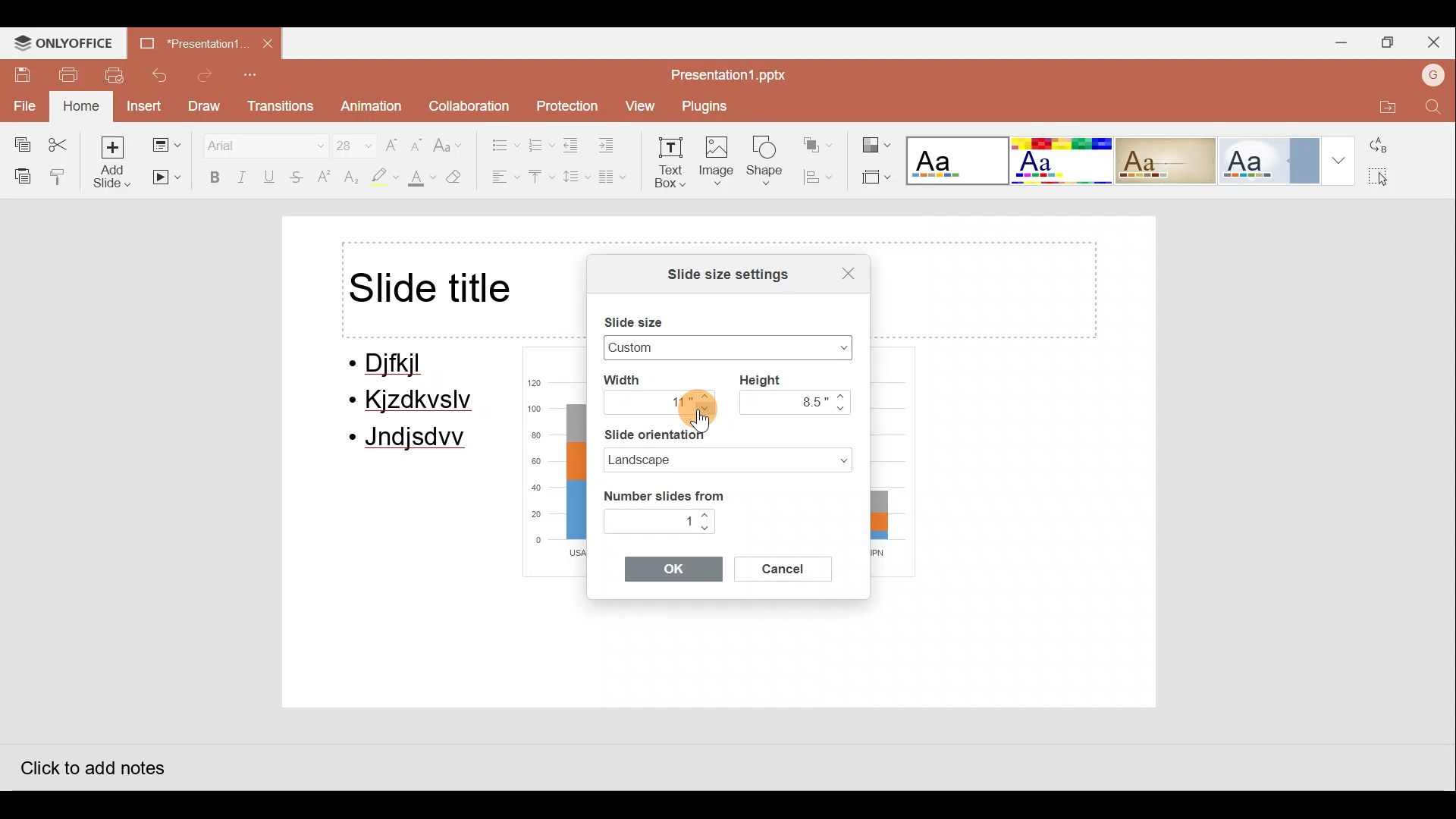 Image resolution: width=1456 pixels, height=819 pixels. What do you see at coordinates (705, 395) in the screenshot?
I see `Navigate up` at bounding box center [705, 395].